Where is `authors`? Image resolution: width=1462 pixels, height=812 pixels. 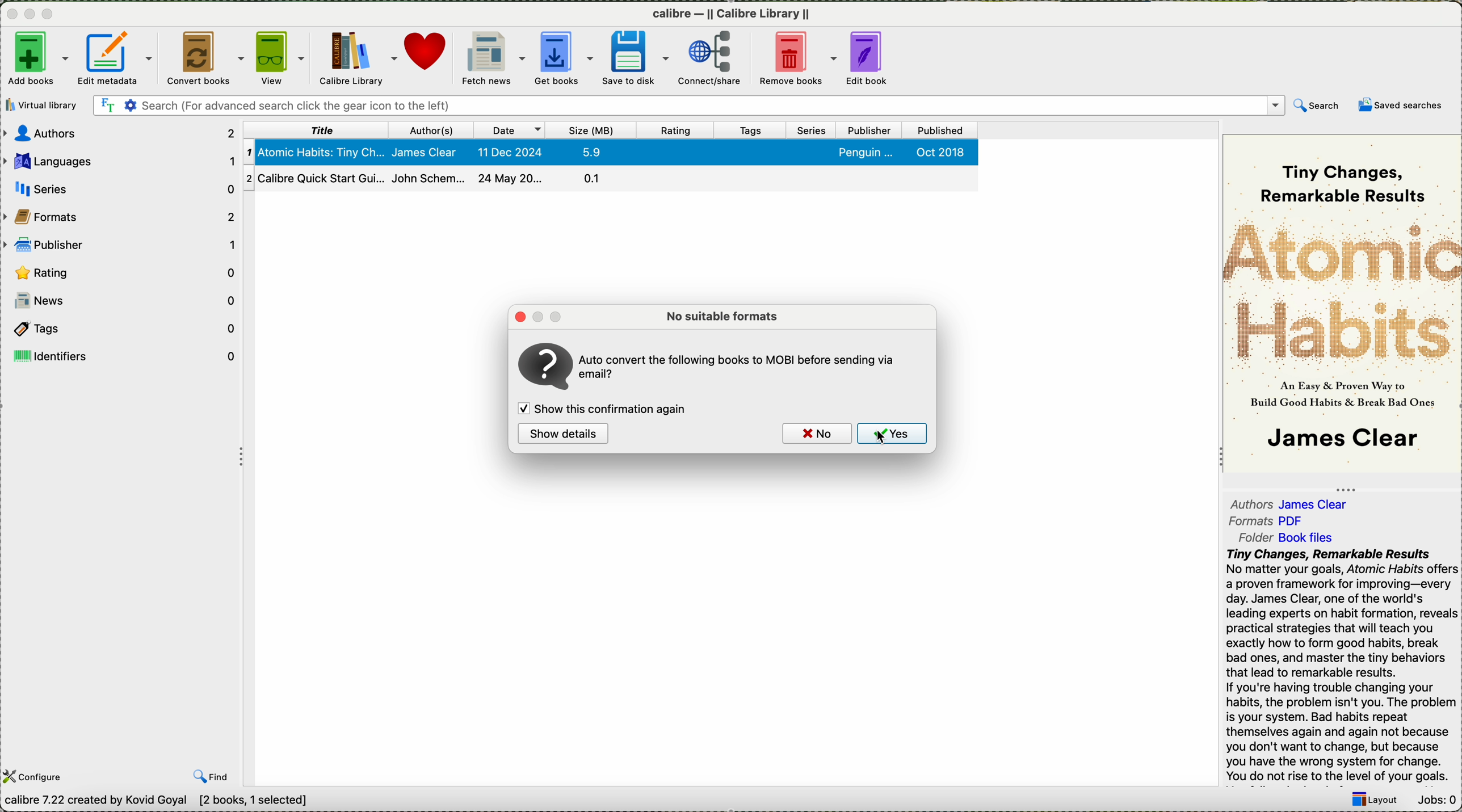
authors is located at coordinates (434, 129).